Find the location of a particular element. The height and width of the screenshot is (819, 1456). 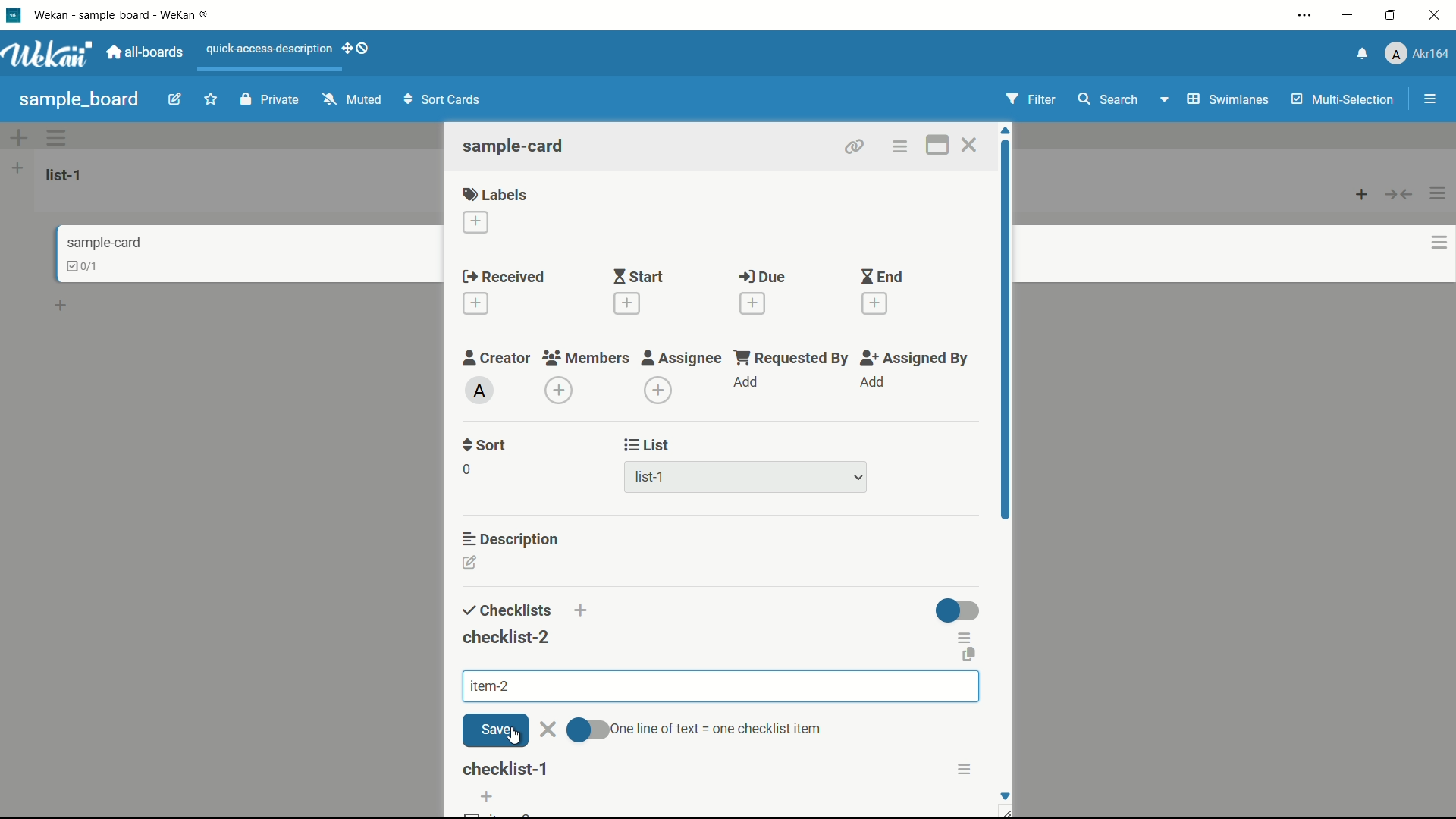

settings and more is located at coordinates (1307, 17).